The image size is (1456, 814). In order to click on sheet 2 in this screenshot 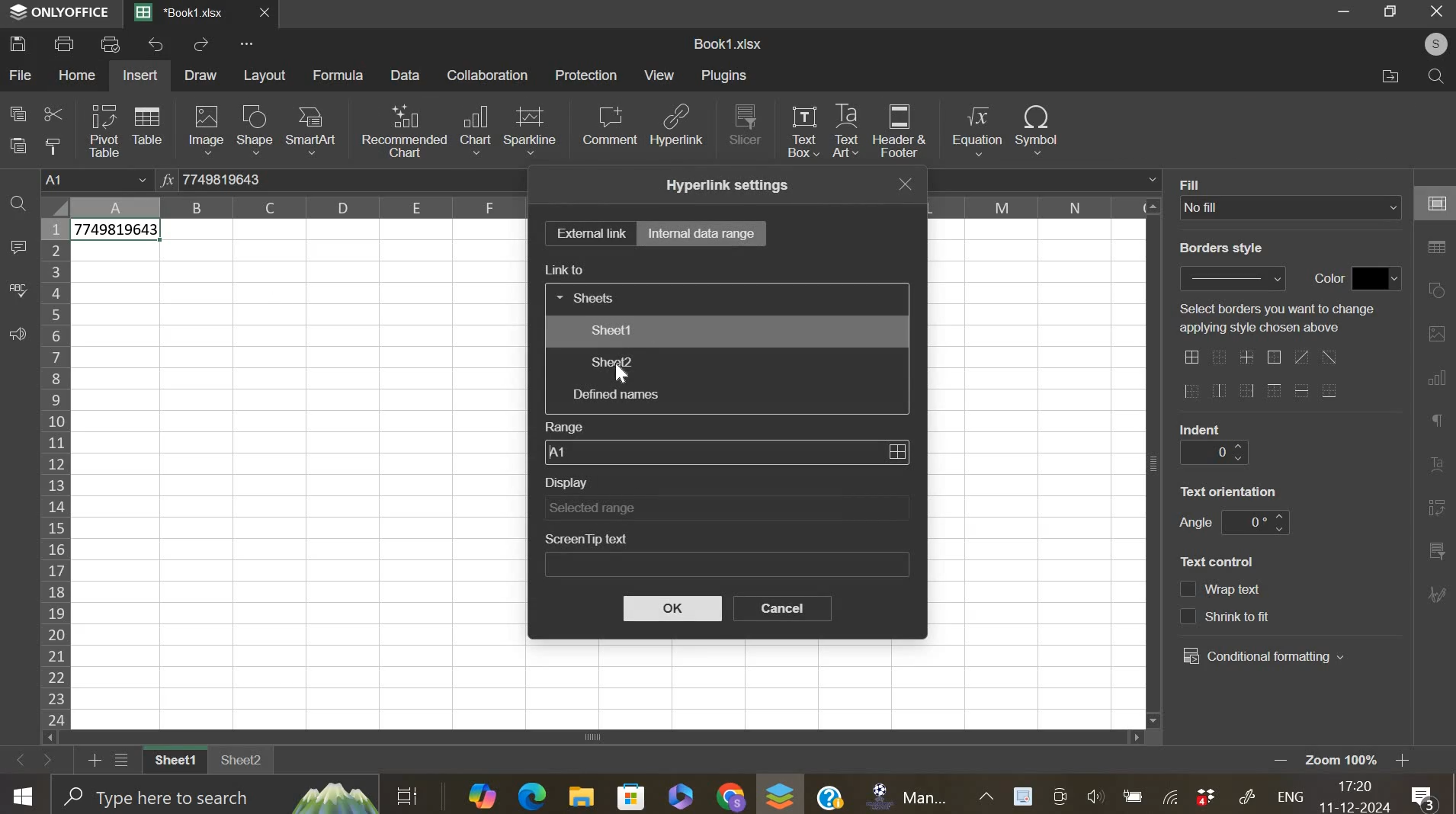, I will do `click(611, 362)`.